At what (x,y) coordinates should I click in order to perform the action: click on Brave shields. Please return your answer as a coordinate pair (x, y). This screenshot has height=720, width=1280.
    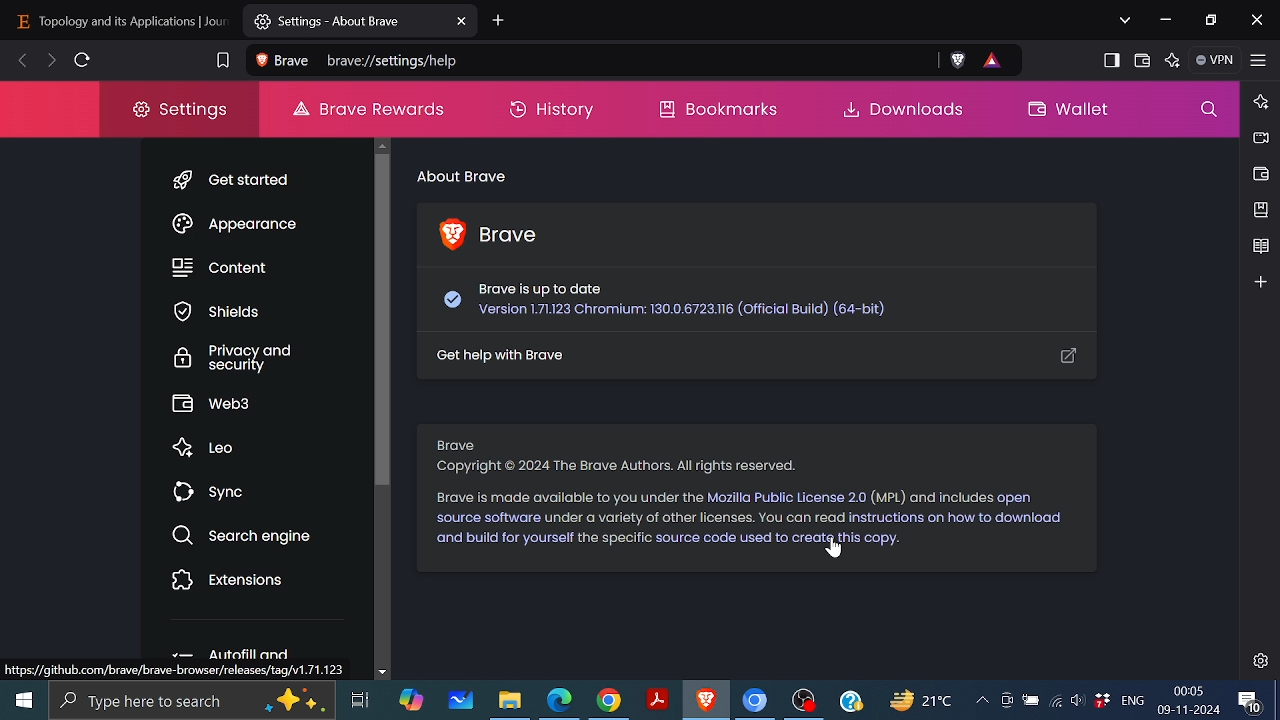
    Looking at the image, I should click on (962, 59).